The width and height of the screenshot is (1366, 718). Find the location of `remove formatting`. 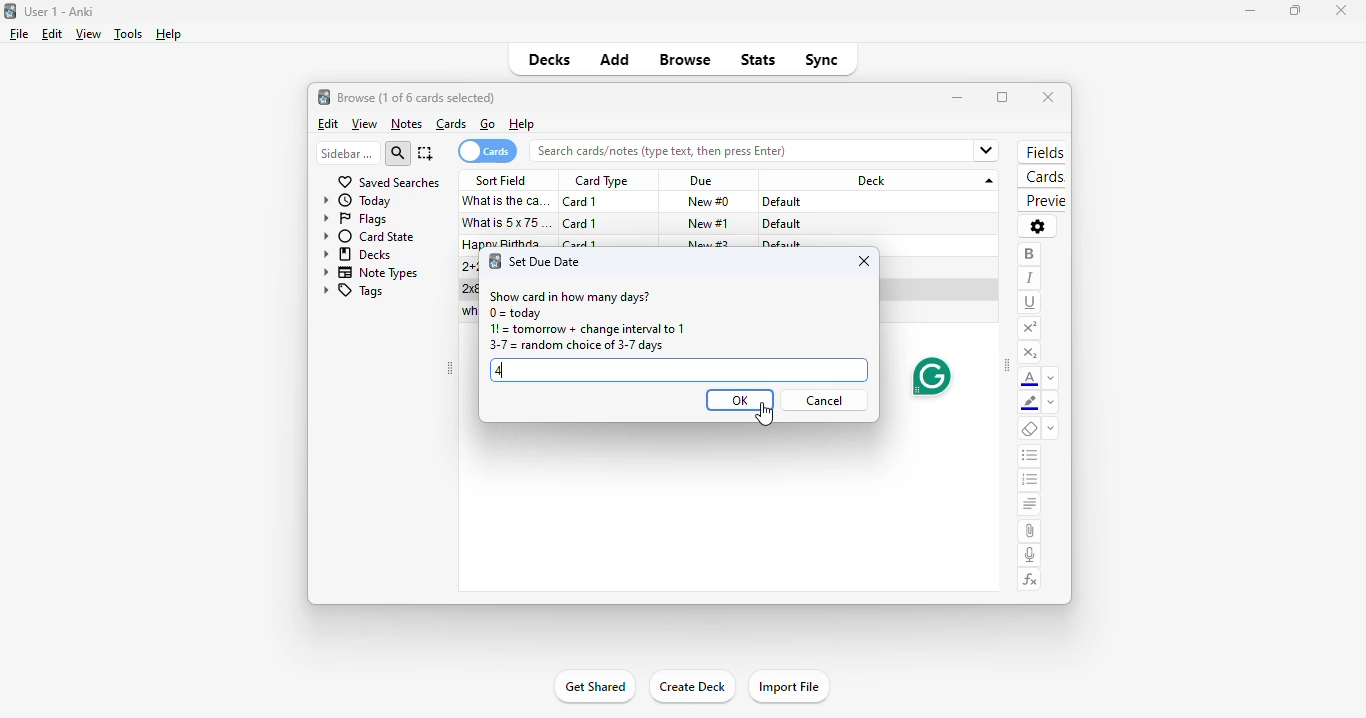

remove formatting is located at coordinates (1030, 430).